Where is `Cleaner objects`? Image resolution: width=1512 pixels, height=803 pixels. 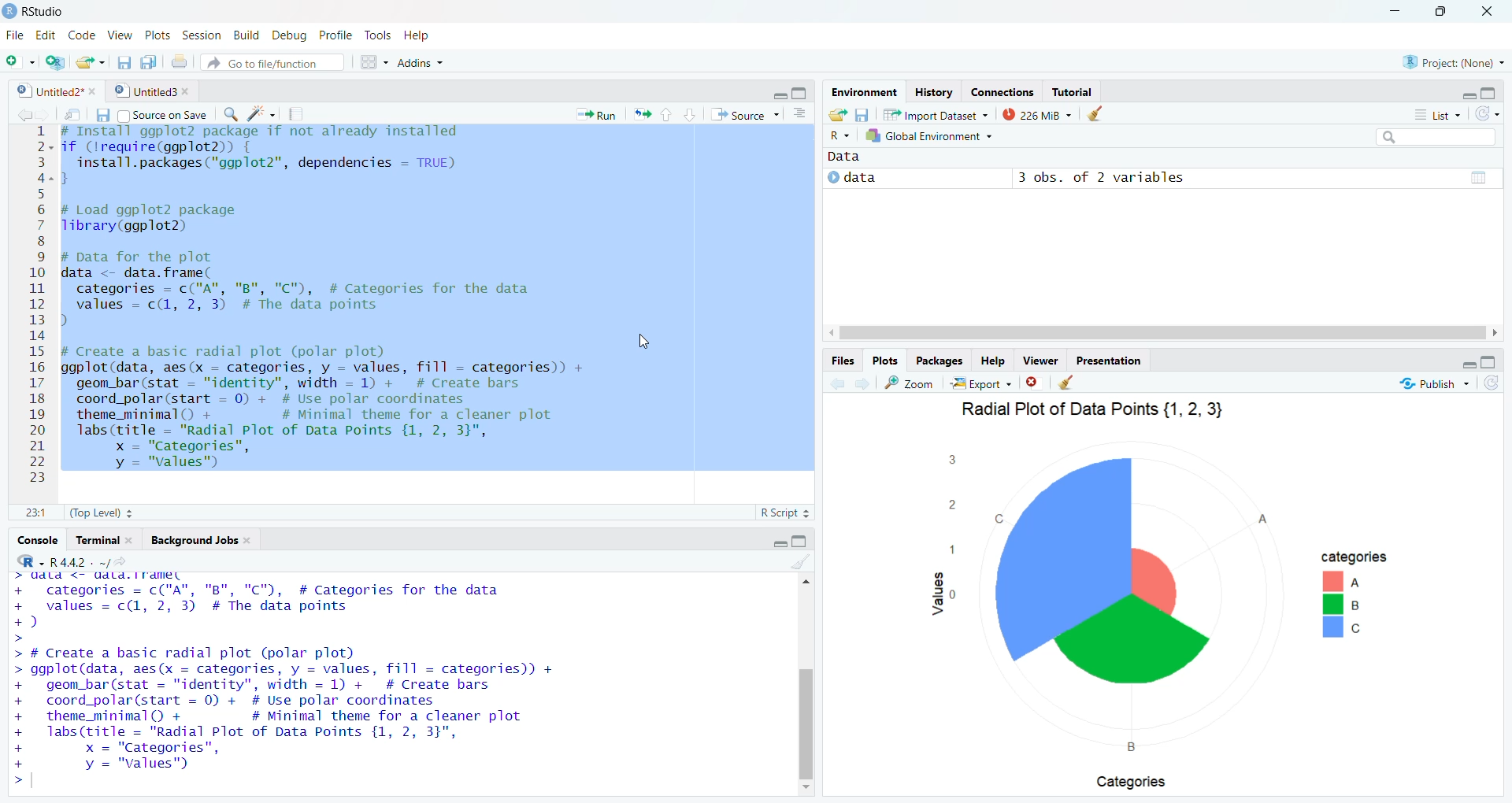
Cleaner objects is located at coordinates (1100, 114).